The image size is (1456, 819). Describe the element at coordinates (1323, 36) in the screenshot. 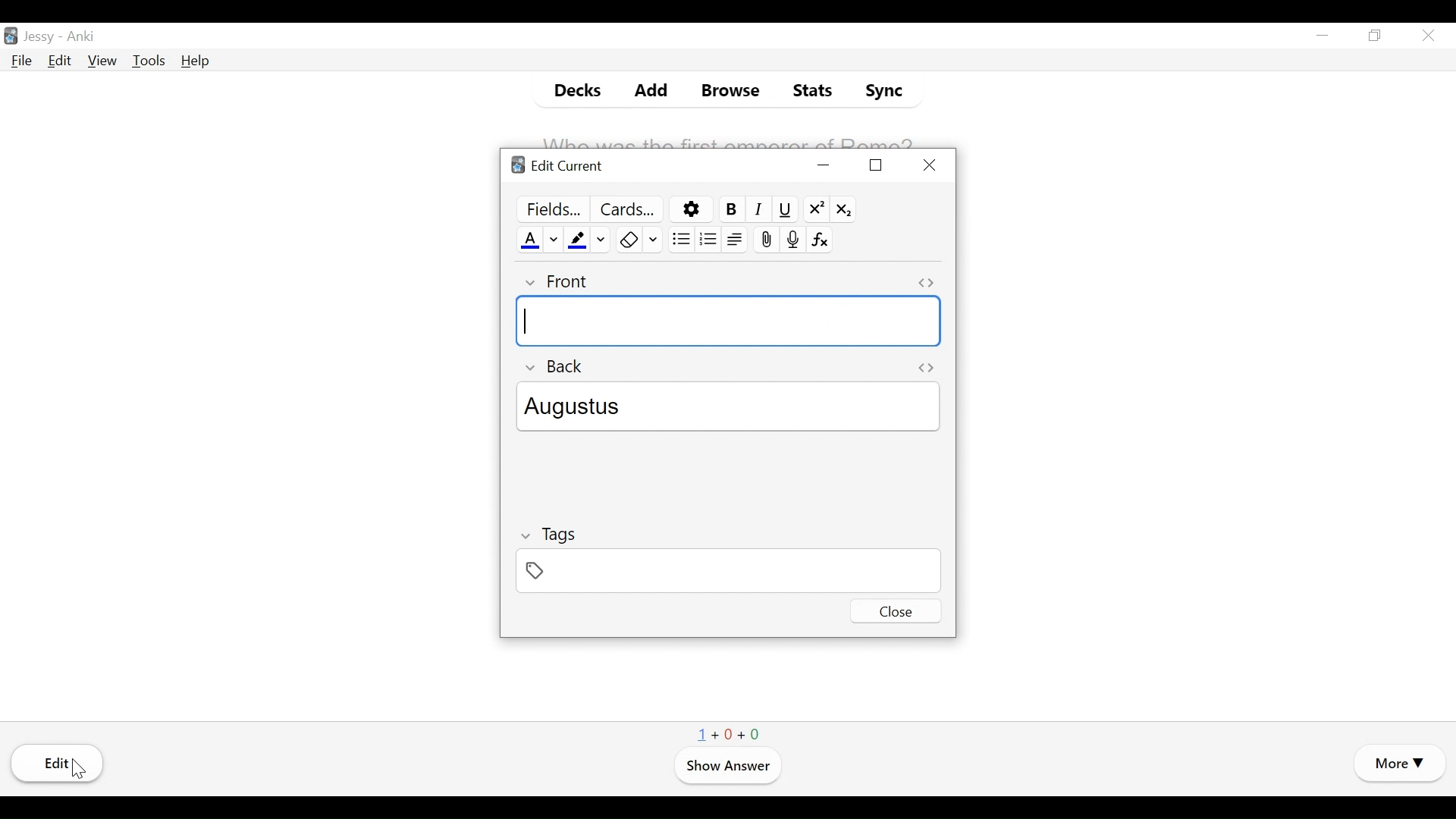

I see `minimize` at that location.